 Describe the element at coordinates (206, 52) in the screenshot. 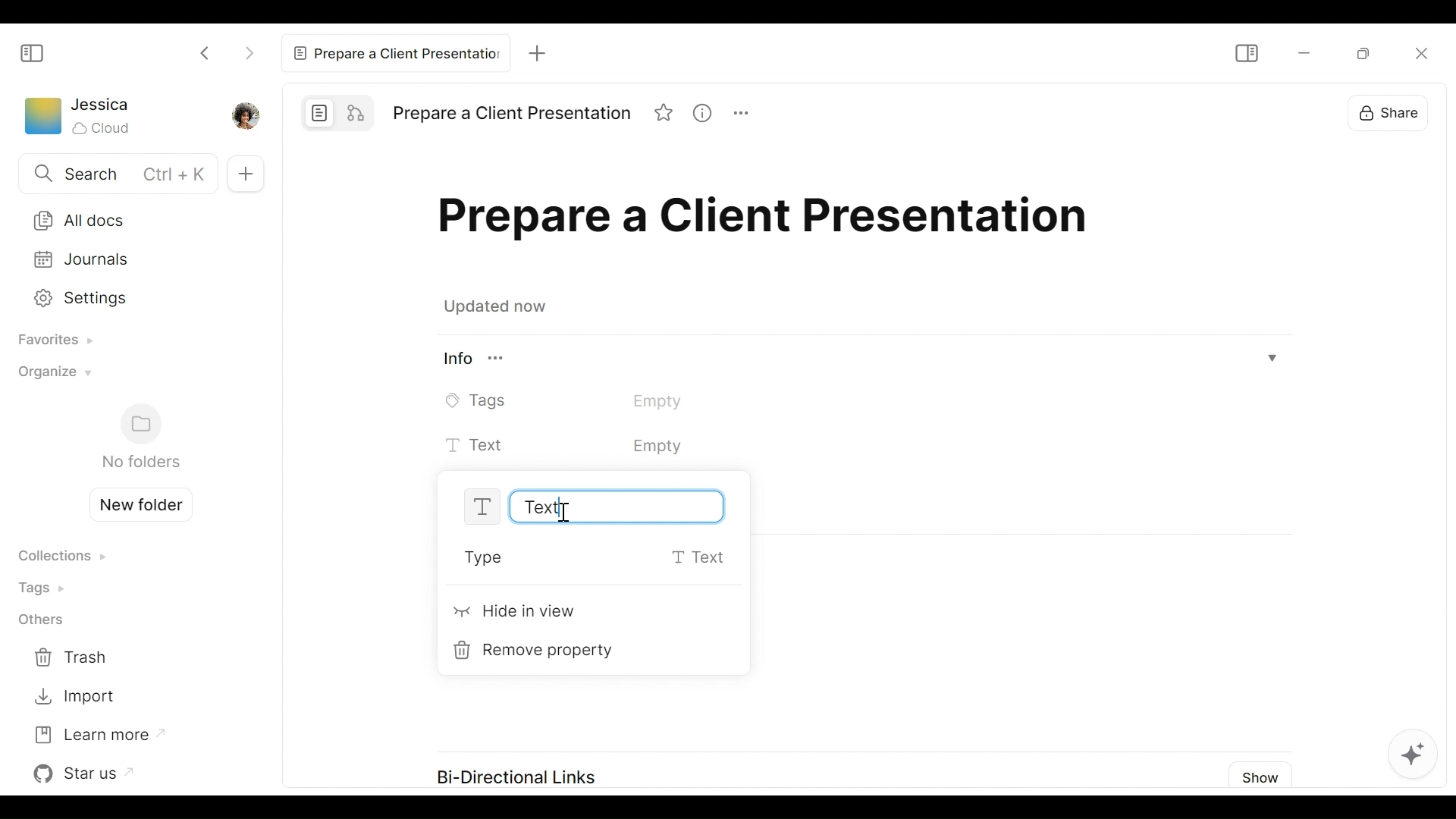

I see `Click to go back` at that location.